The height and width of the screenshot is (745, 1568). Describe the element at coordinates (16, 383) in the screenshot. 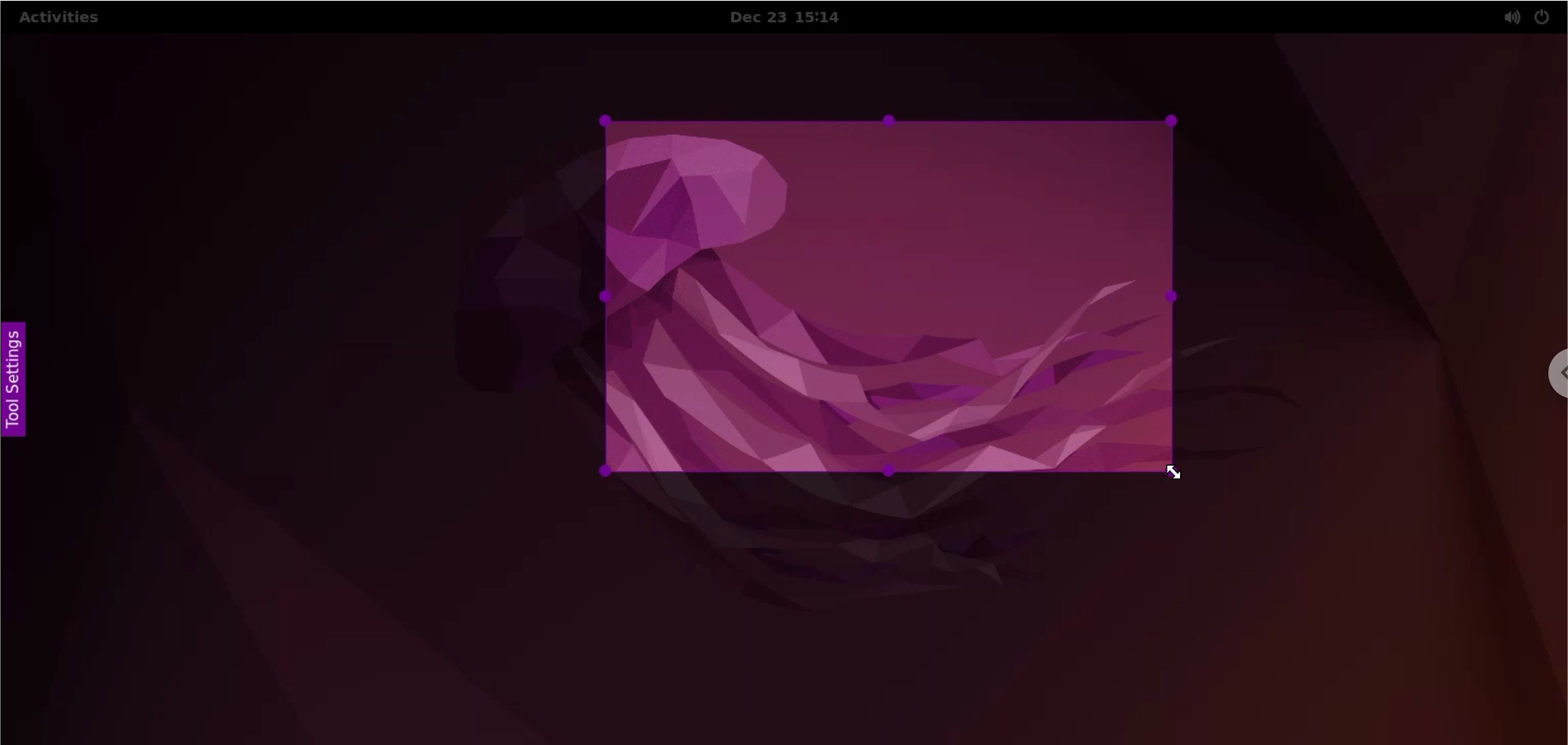

I see `tool settings` at that location.